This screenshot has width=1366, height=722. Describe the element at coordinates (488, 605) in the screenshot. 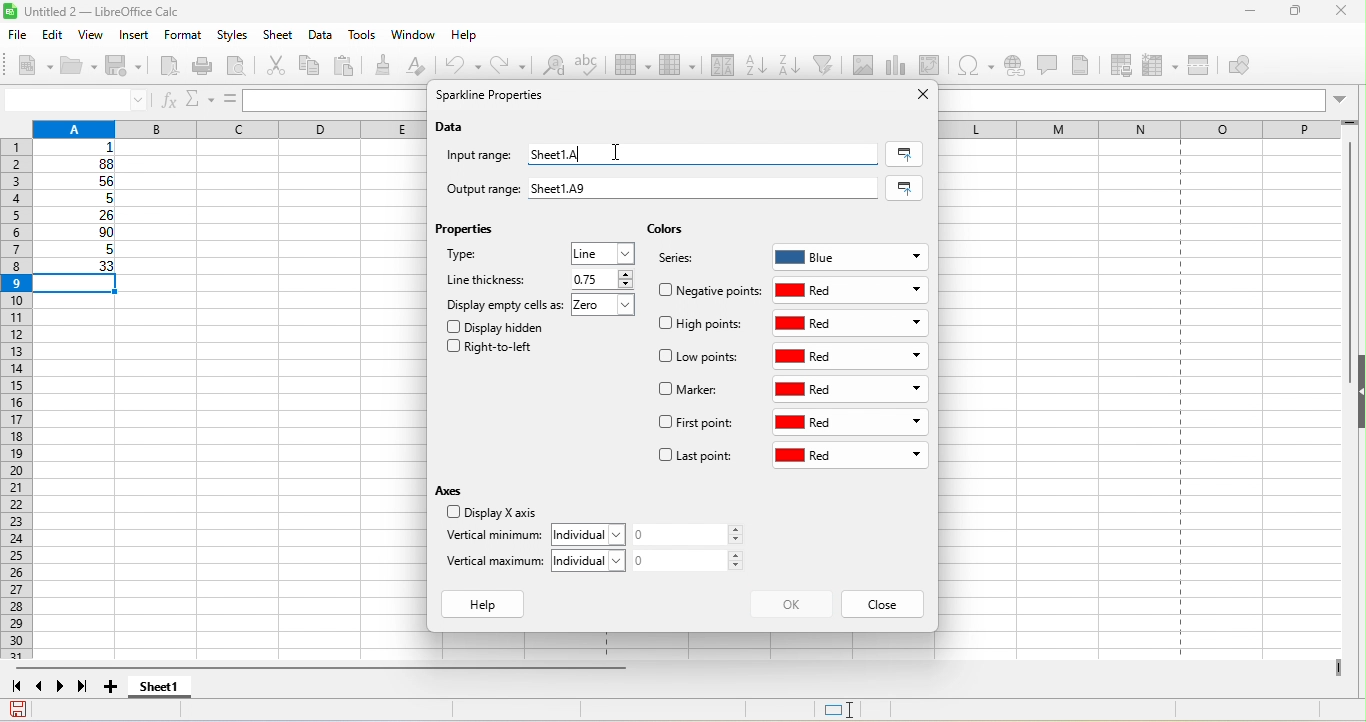

I see `help` at that location.